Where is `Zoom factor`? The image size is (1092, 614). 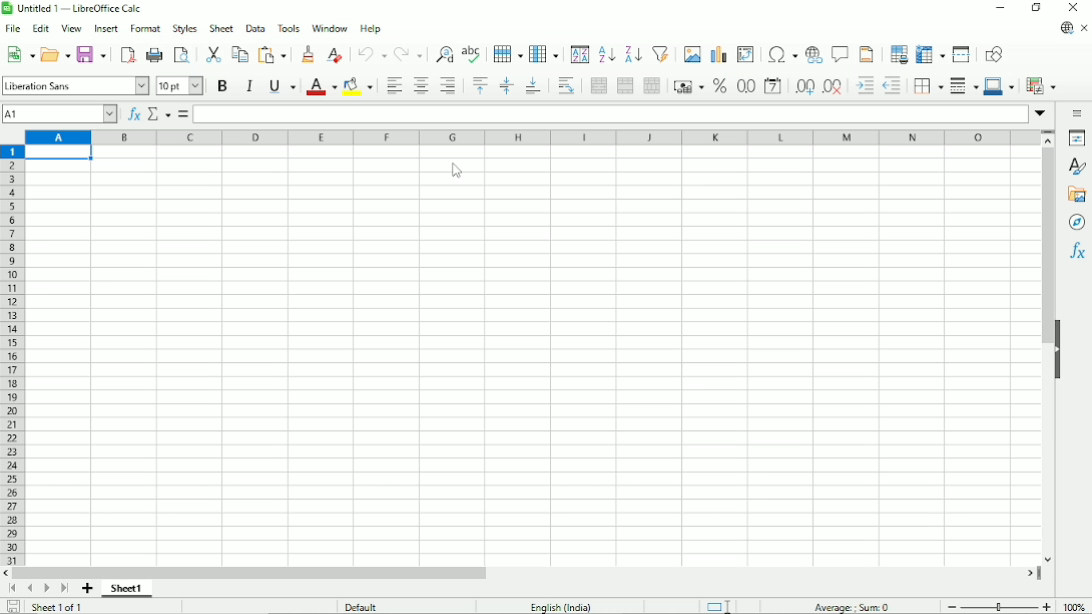 Zoom factor is located at coordinates (1077, 607).